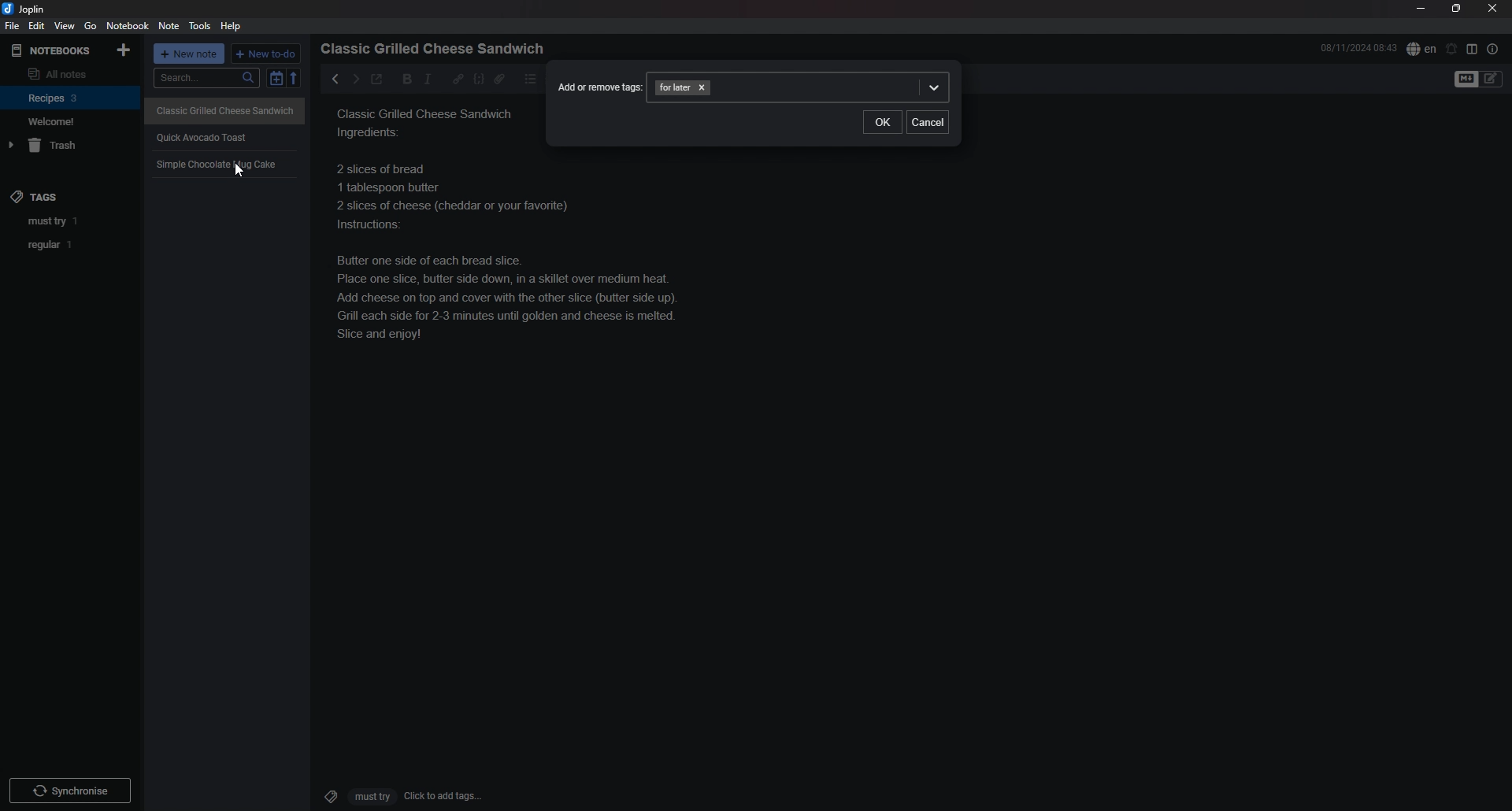 This screenshot has height=811, width=1512. Describe the element at coordinates (36, 192) in the screenshot. I see `tags` at that location.